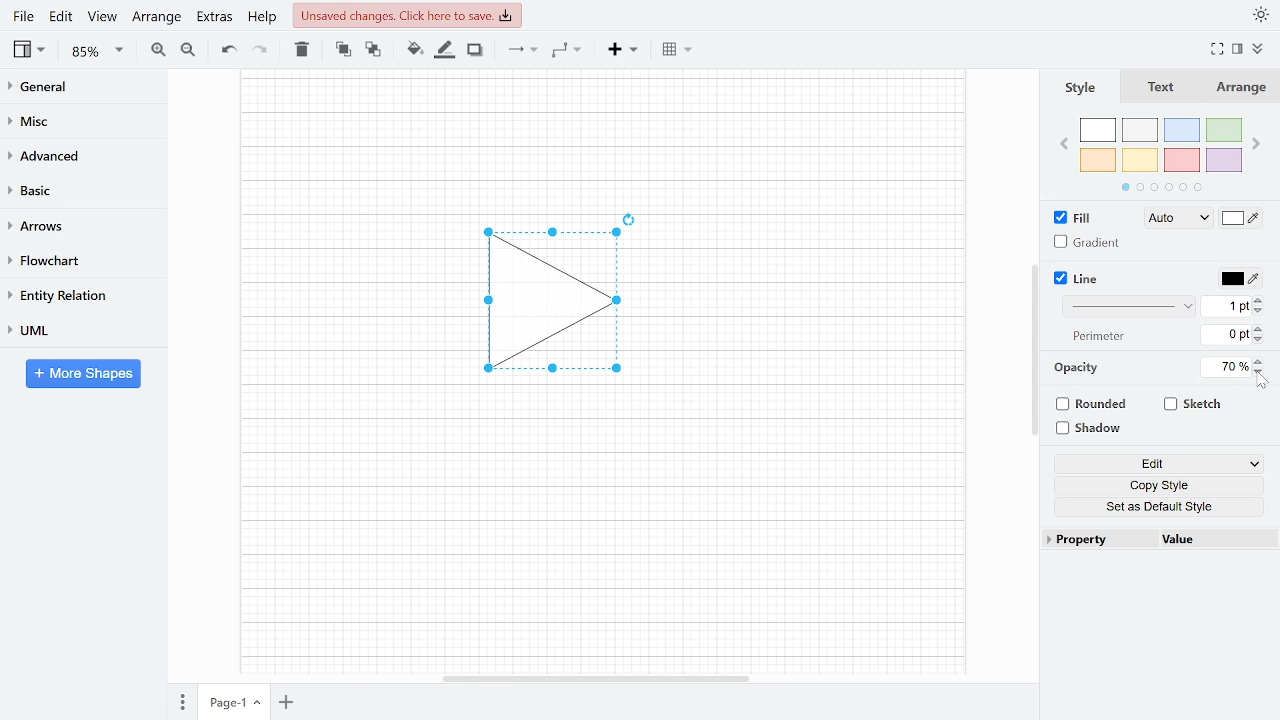 This screenshot has height=720, width=1280. What do you see at coordinates (522, 49) in the screenshot?
I see `Connection` at bounding box center [522, 49].